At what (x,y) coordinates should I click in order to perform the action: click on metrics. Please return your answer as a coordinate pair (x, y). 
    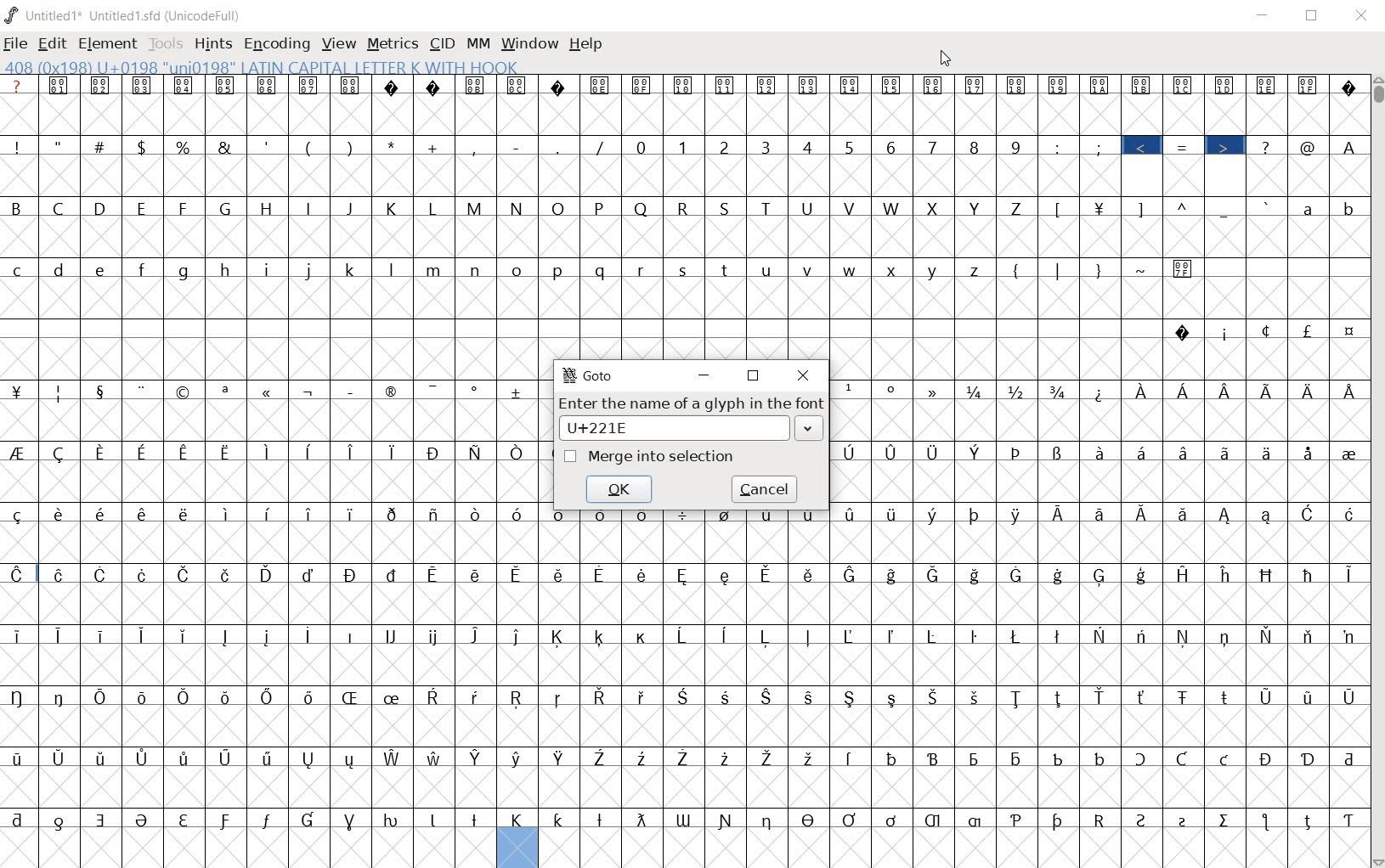
    Looking at the image, I should click on (394, 43).